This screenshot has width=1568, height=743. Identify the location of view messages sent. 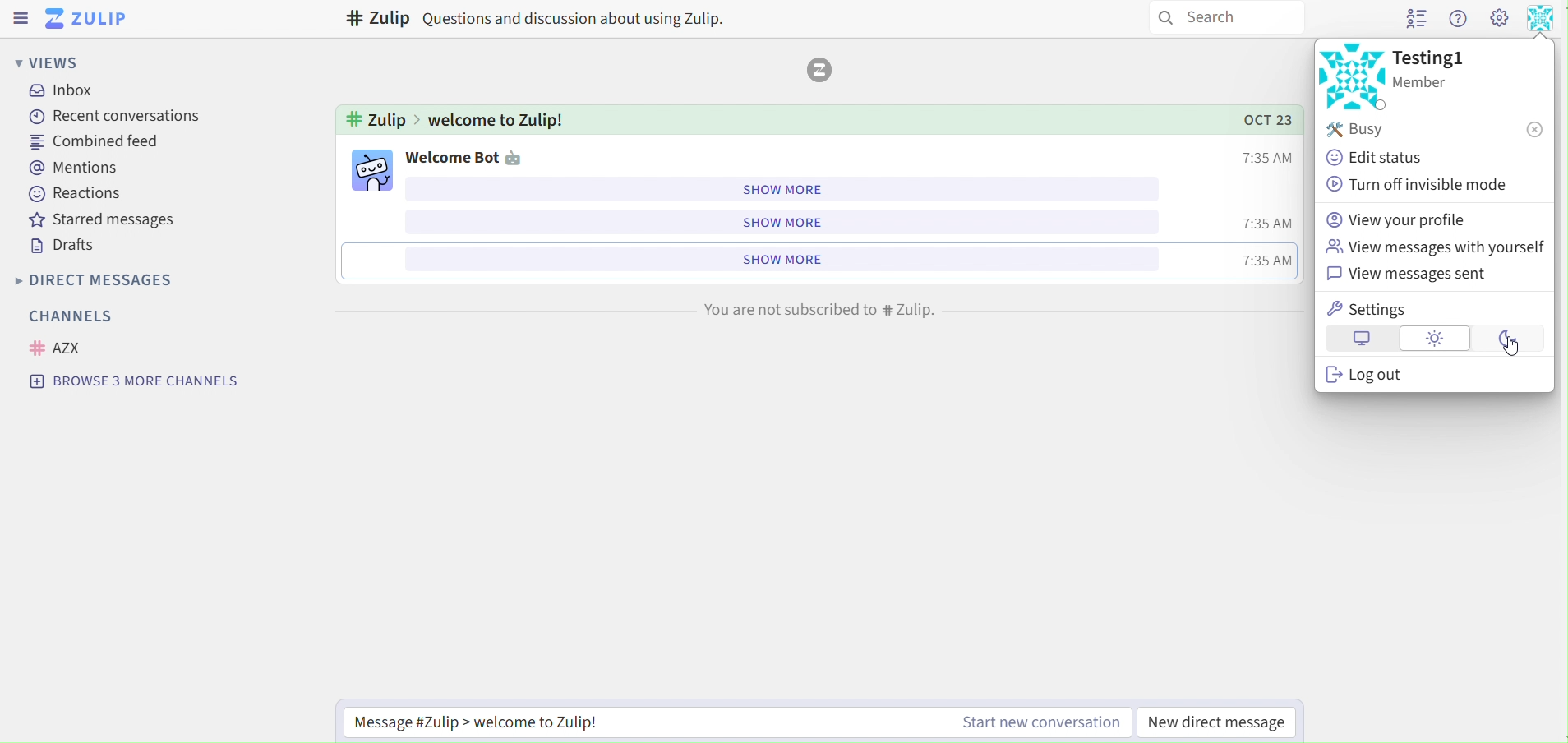
(1416, 274).